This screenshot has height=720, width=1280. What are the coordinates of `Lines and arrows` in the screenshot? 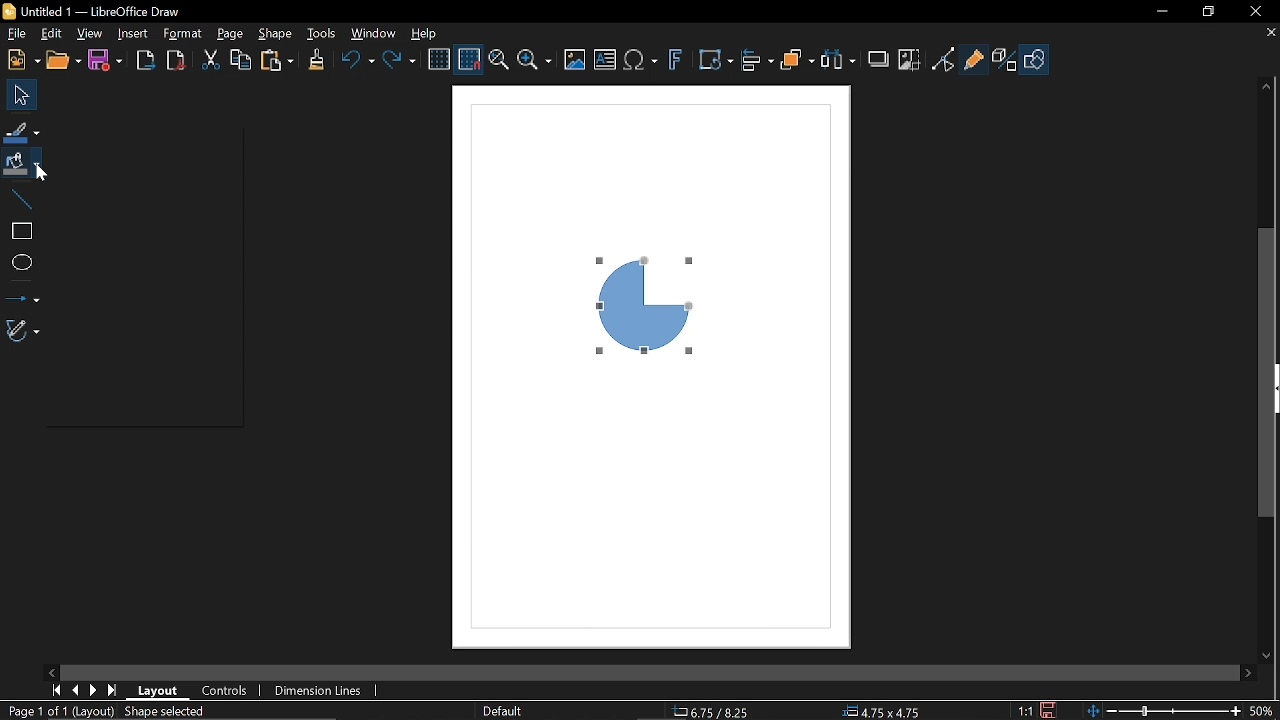 It's located at (21, 298).